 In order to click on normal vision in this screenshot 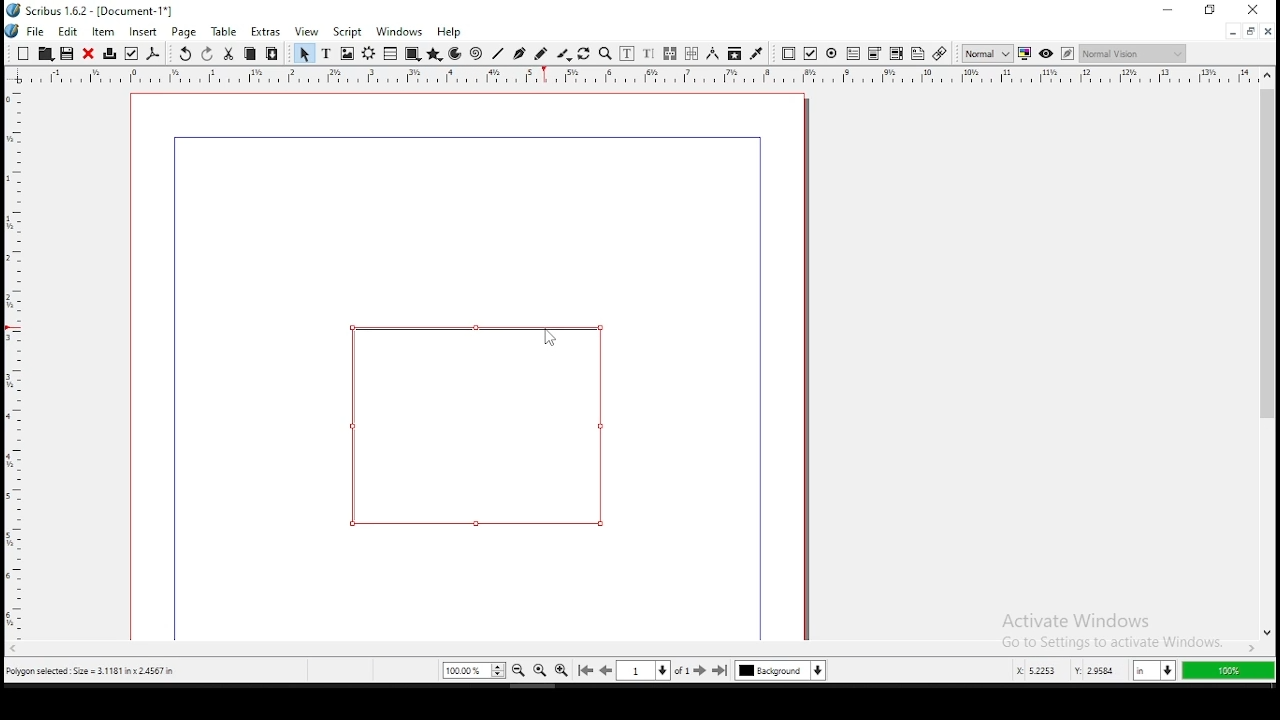, I will do `click(1133, 54)`.